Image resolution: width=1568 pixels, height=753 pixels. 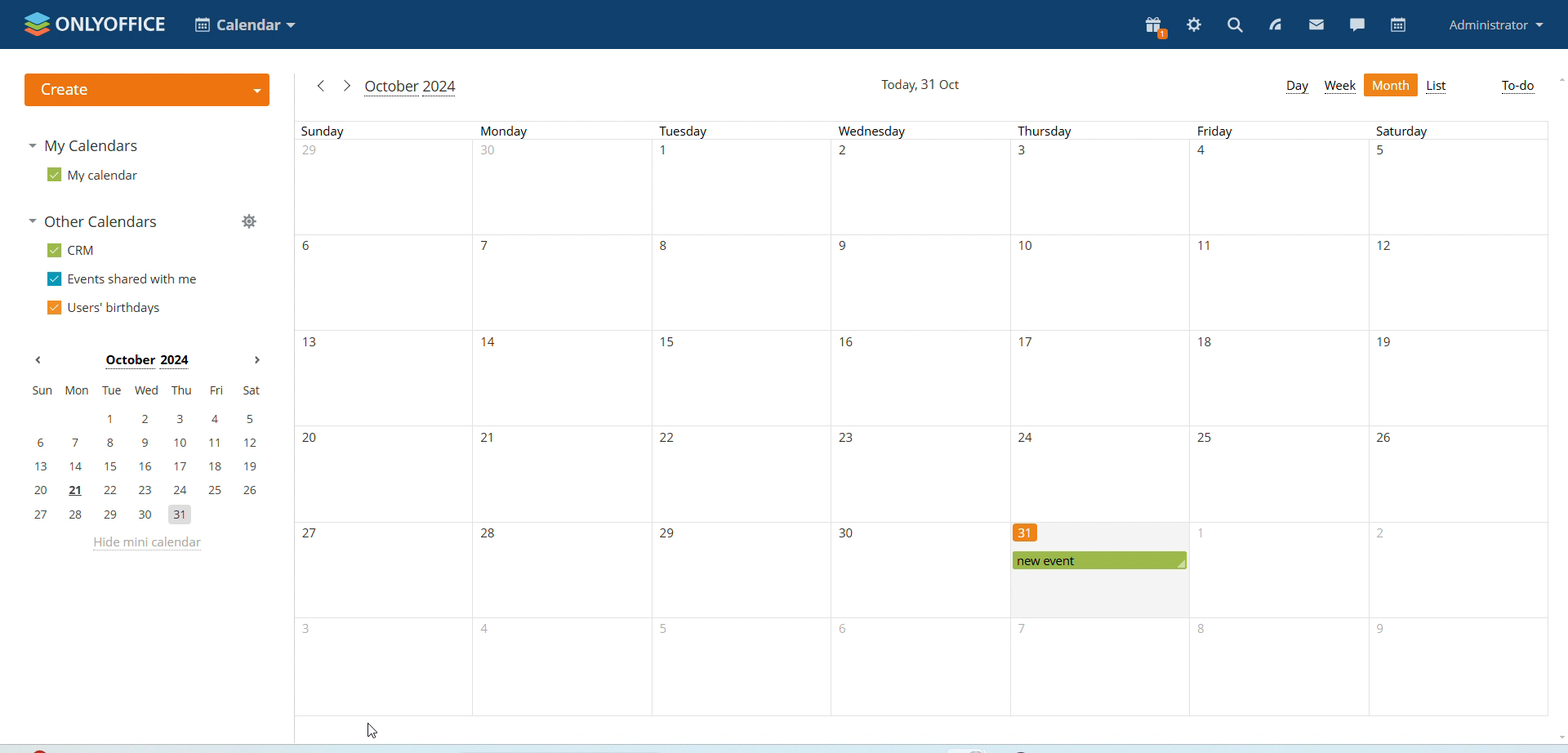 What do you see at coordinates (1235, 26) in the screenshot?
I see `search` at bounding box center [1235, 26].